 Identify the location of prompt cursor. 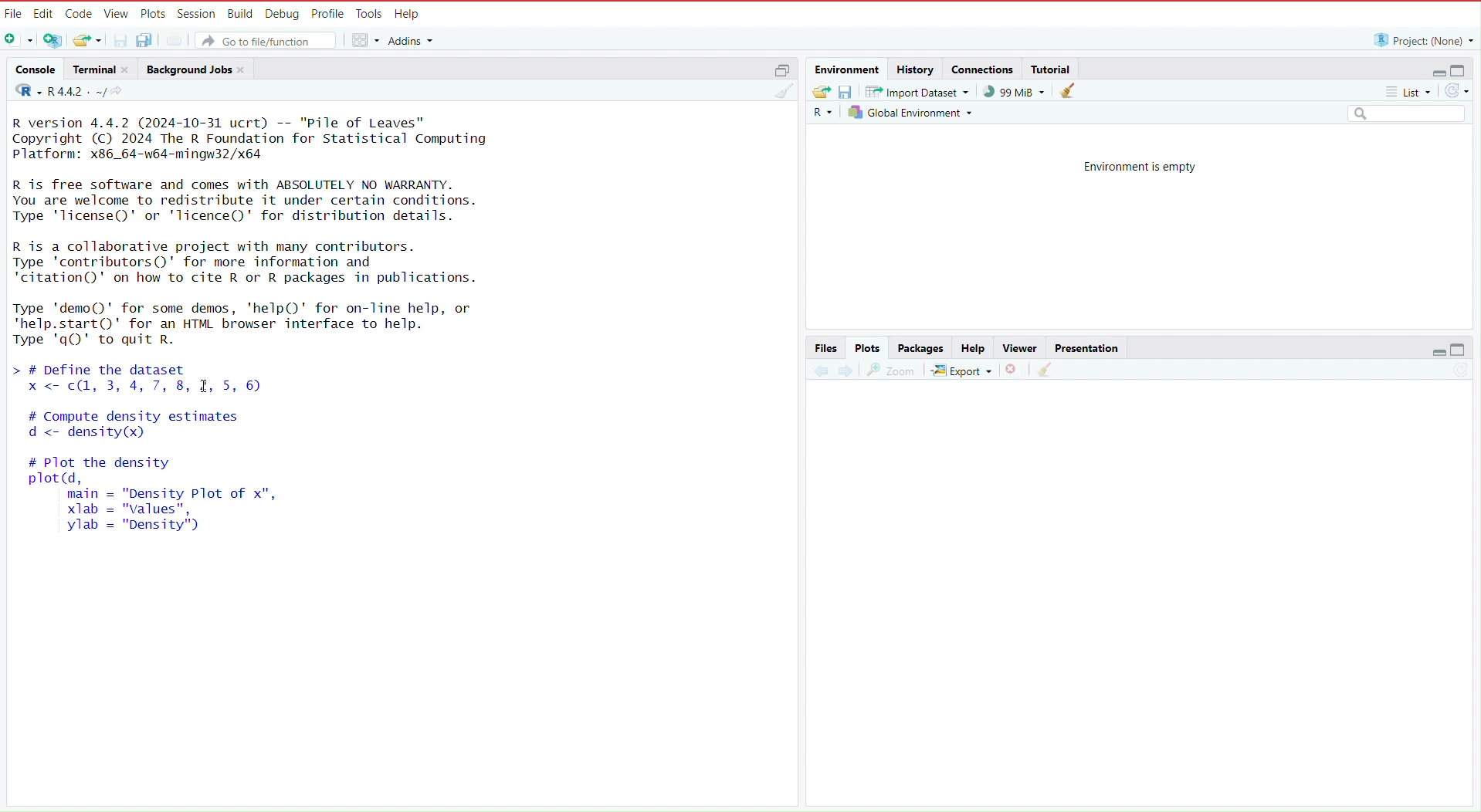
(10, 370).